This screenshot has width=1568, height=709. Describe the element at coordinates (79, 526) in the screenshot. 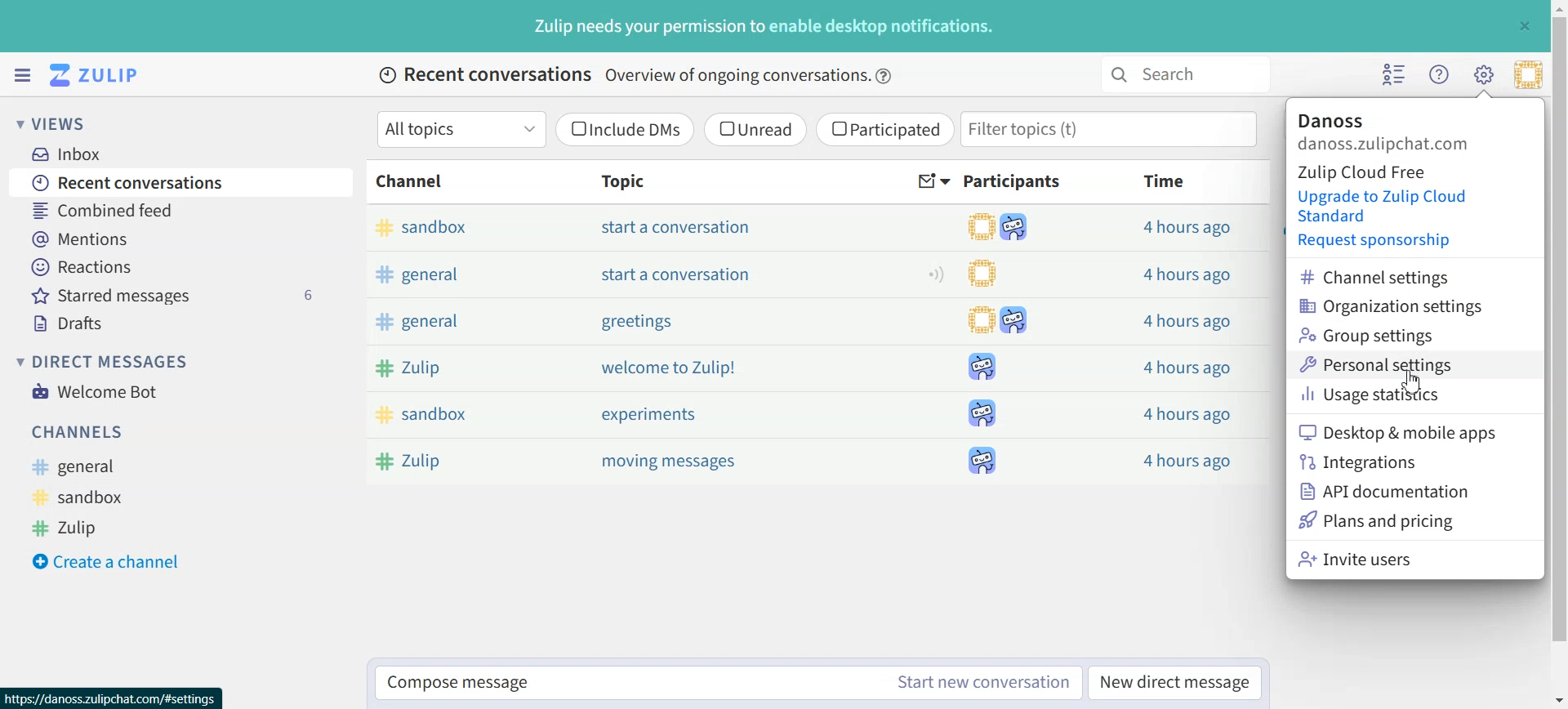

I see `#Zulip` at that location.